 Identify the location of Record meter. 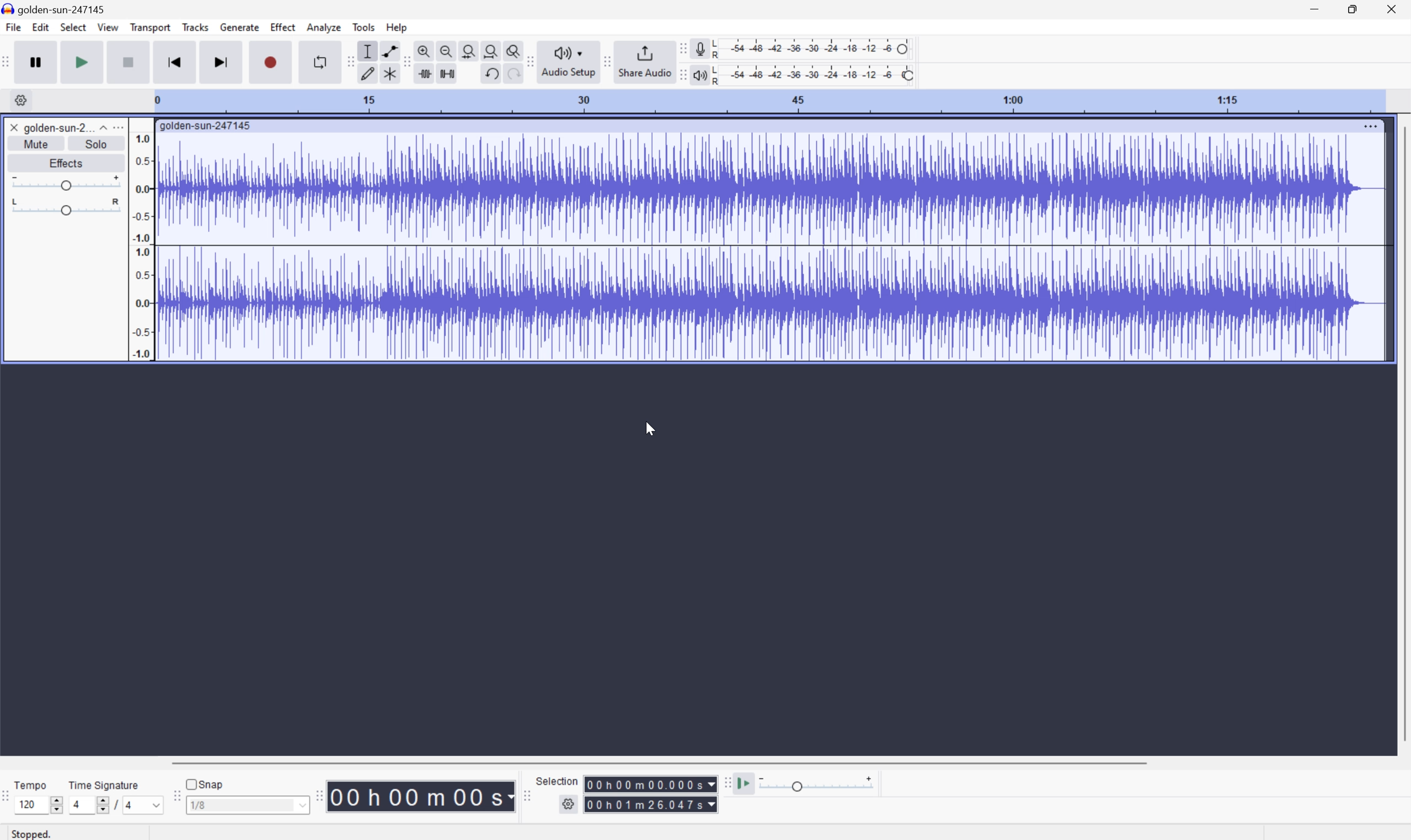
(700, 48).